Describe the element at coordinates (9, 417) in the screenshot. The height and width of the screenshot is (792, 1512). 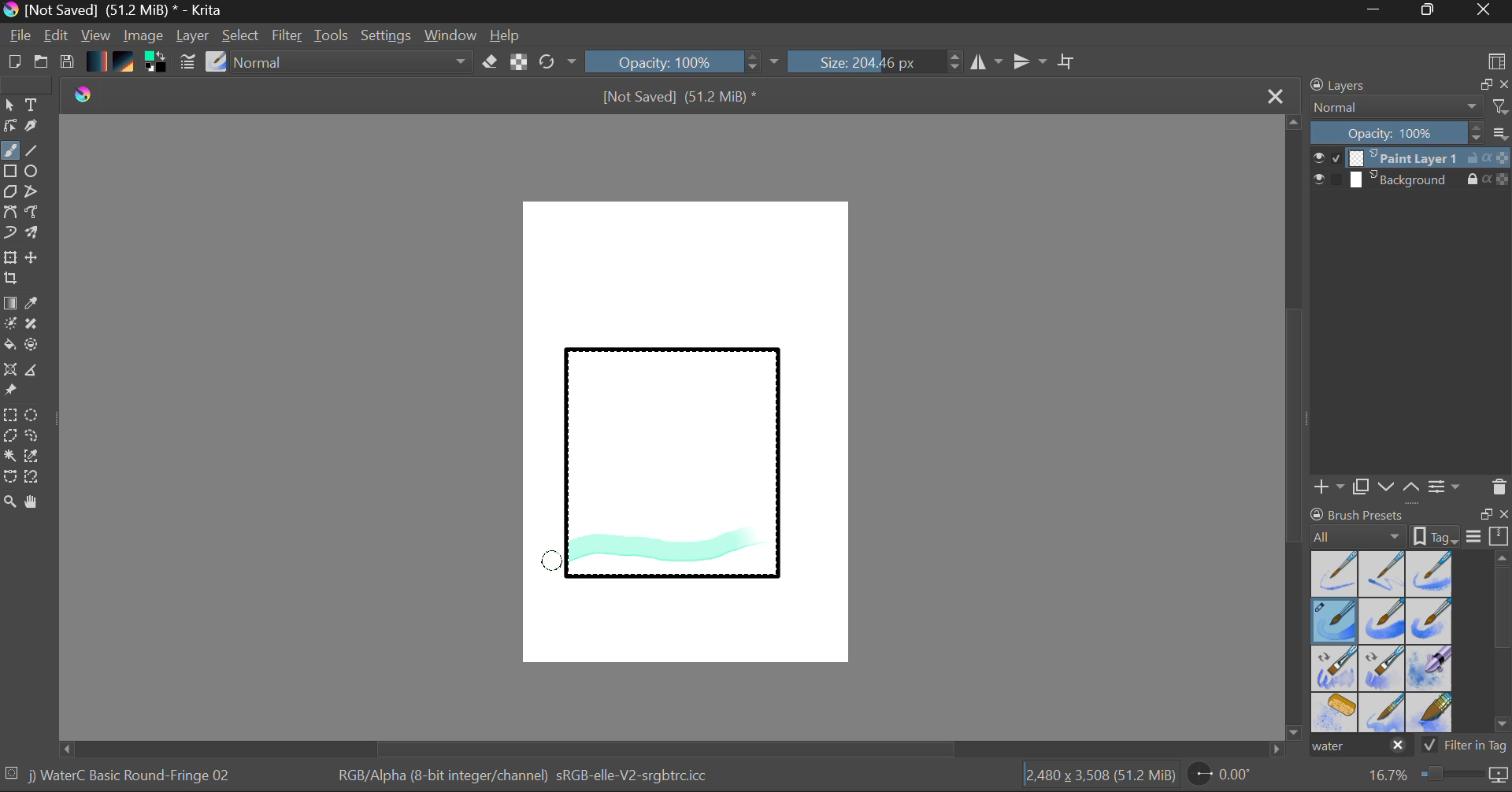
I see `Rectangle Selection Tool` at that location.